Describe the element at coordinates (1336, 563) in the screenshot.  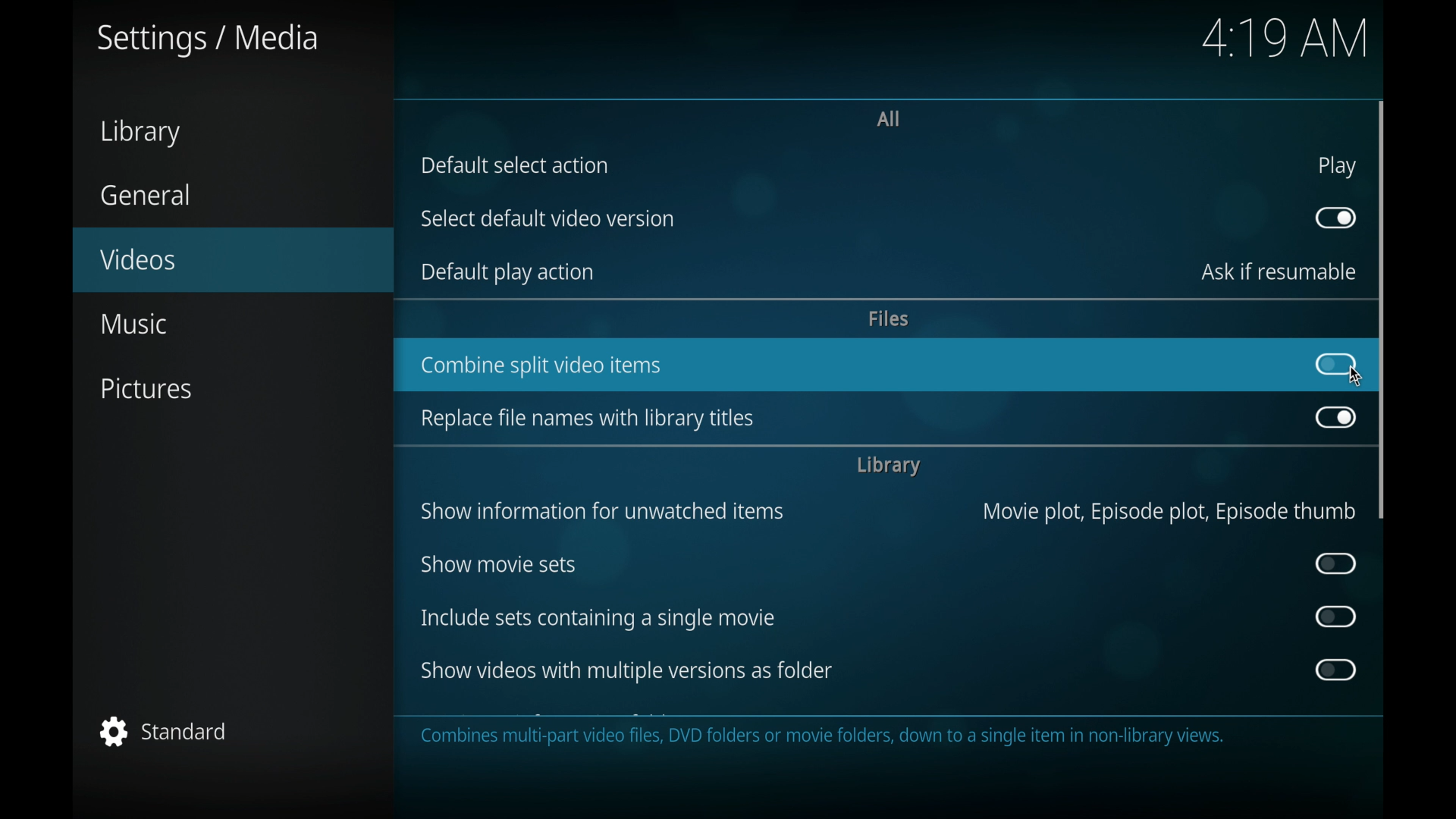
I see `toggle button` at that location.